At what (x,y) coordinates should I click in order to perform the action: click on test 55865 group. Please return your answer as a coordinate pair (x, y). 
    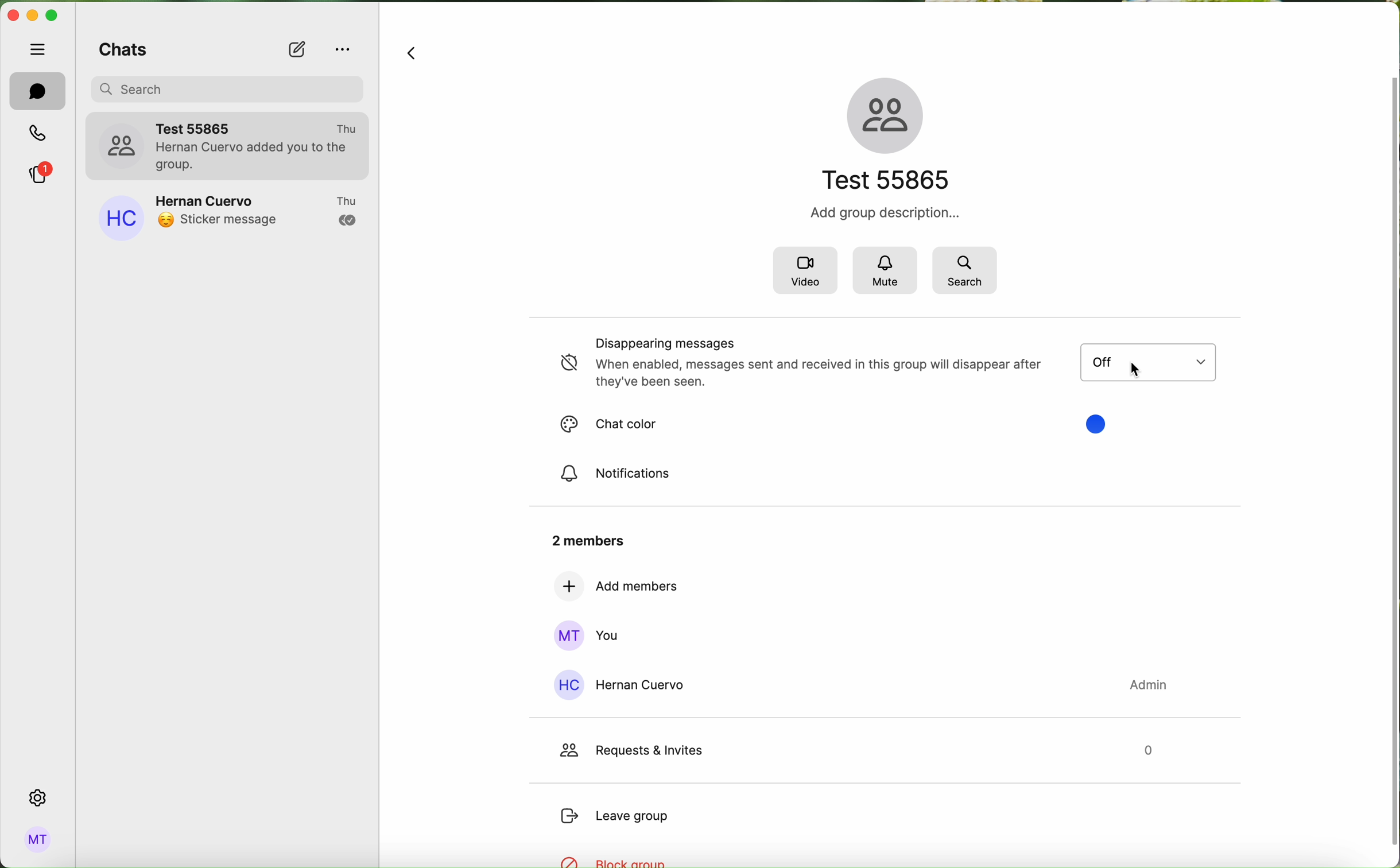
    Looking at the image, I should click on (228, 144).